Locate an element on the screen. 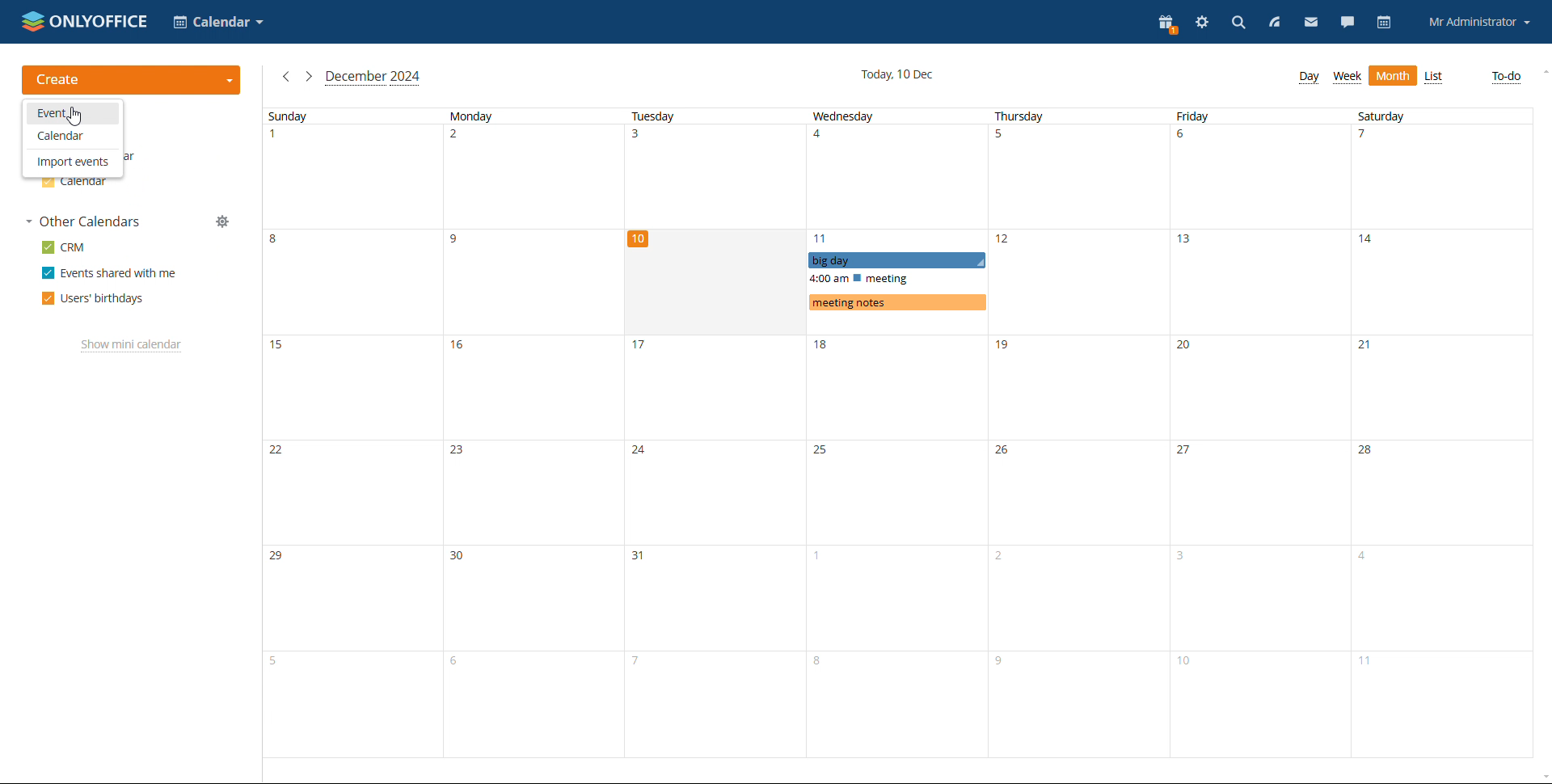 The height and width of the screenshot is (784, 1552). events shared with me is located at coordinates (108, 272).